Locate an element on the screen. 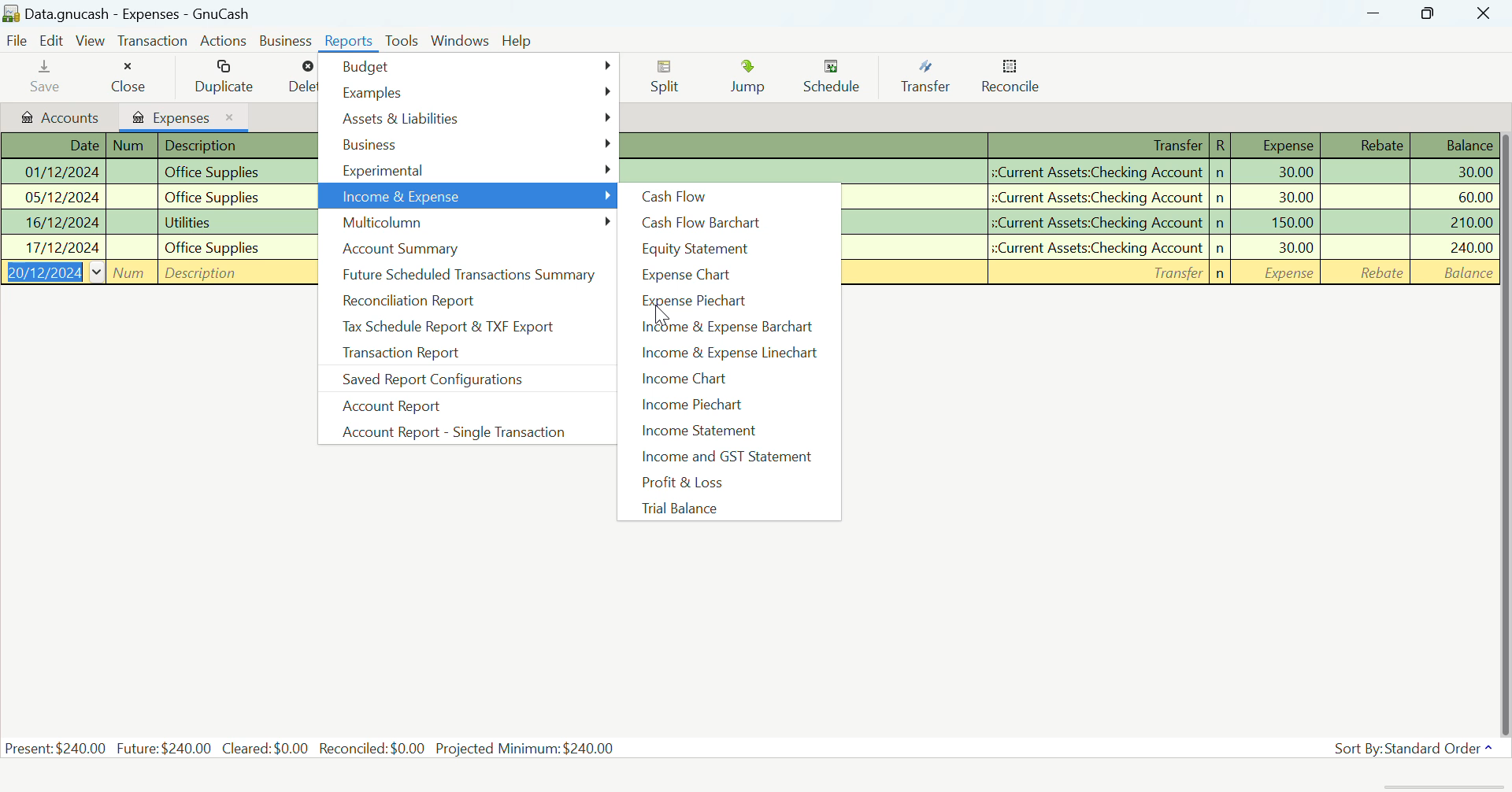 This screenshot has width=1512, height=792. Future Scheduled Transactions Summary is located at coordinates (468, 272).